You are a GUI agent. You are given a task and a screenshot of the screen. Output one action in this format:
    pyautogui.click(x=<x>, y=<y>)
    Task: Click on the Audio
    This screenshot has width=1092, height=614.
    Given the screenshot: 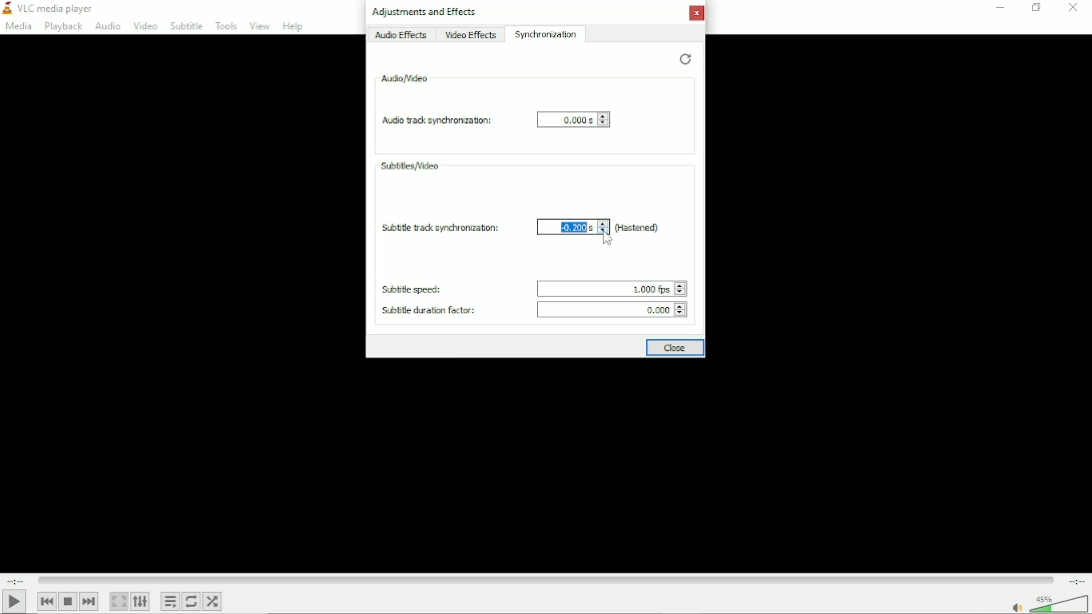 What is the action you would take?
    pyautogui.click(x=105, y=27)
    